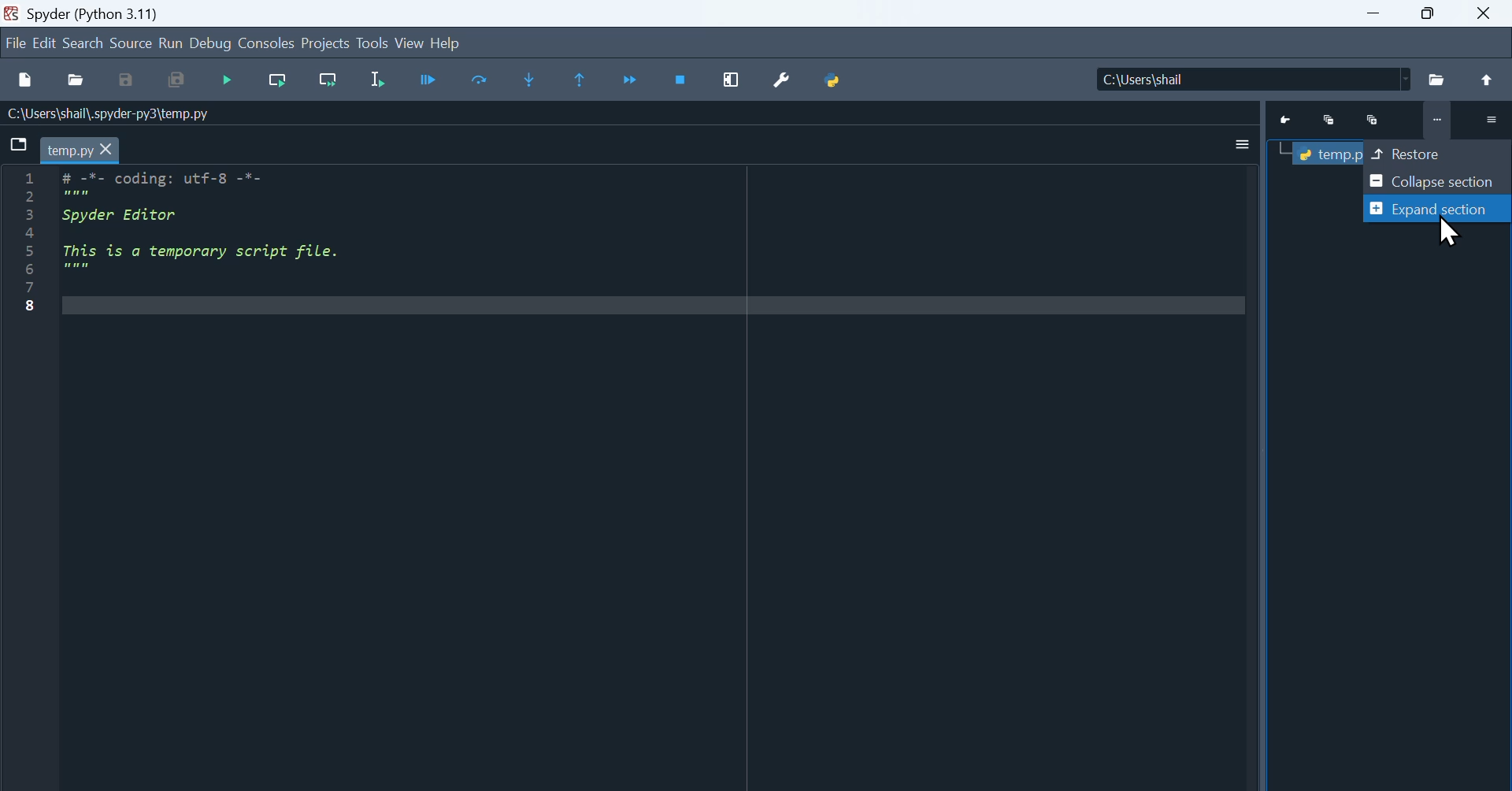 The height and width of the screenshot is (791, 1512). What do you see at coordinates (683, 80) in the screenshot?
I see `Stop debugging` at bounding box center [683, 80].